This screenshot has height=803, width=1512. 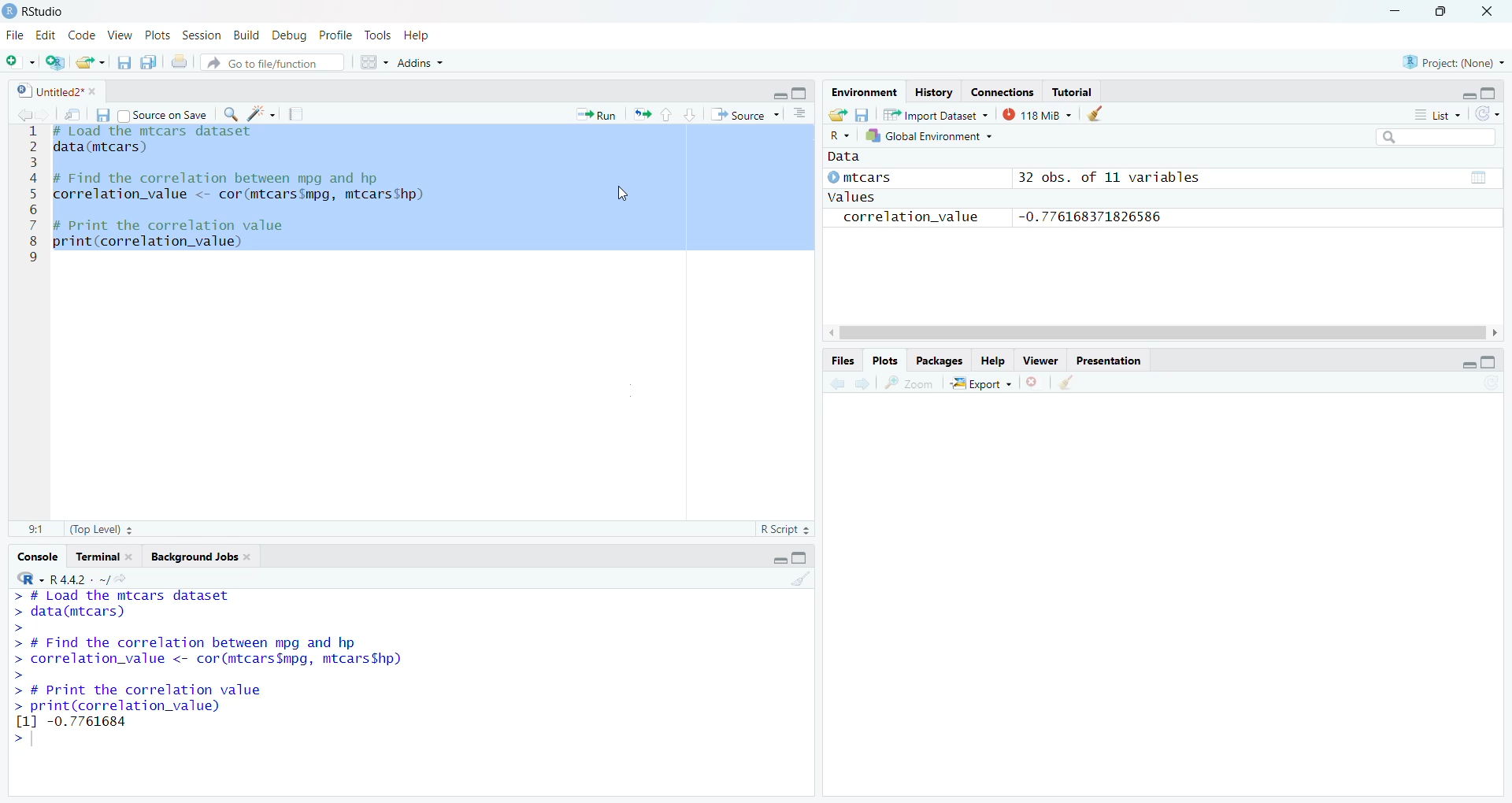 What do you see at coordinates (240, 190) in the screenshot?
I see `Te Tyee SRT SILER Serger
data(mtcars)

# Find the correlation between mpg and hp
correlation_value <- cor(mtcars$mpg, mtcarsShp)
# Print the correlation value
print(correlation_value)` at bounding box center [240, 190].